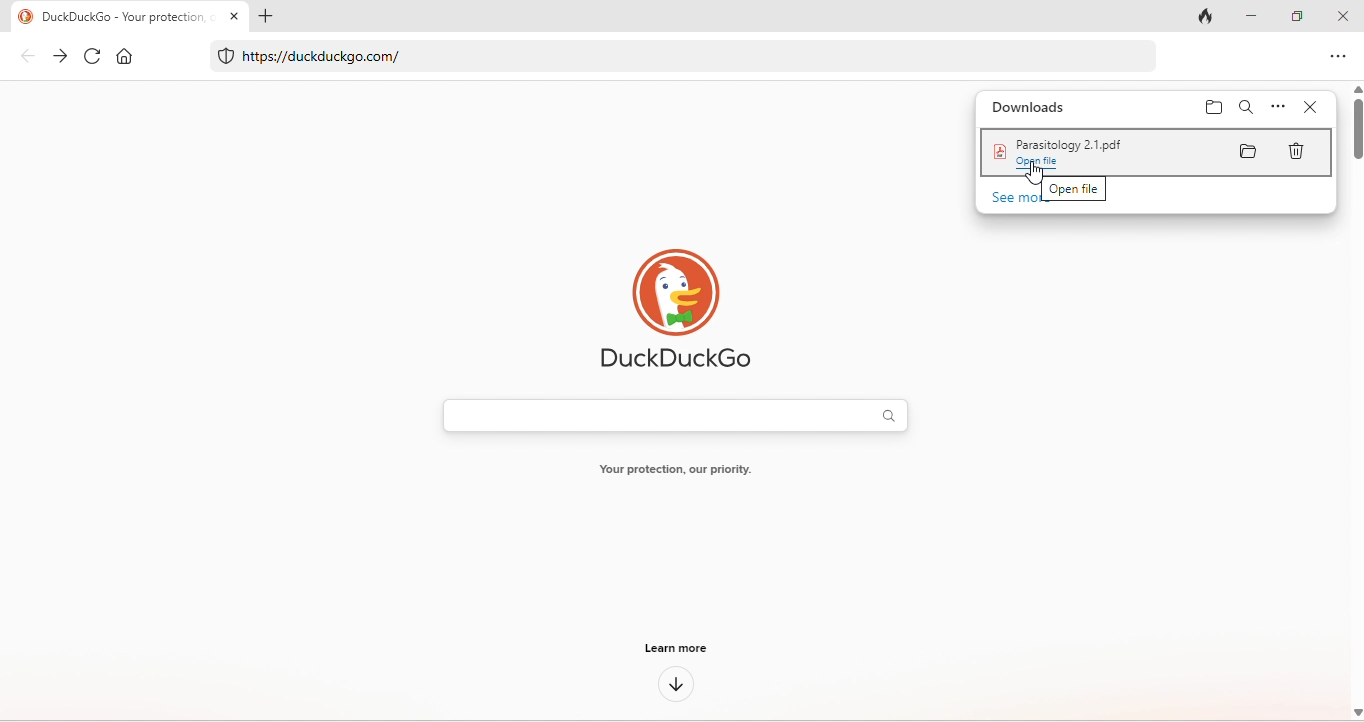 This screenshot has height=722, width=1364. Describe the element at coordinates (1207, 17) in the screenshot. I see `track tab` at that location.